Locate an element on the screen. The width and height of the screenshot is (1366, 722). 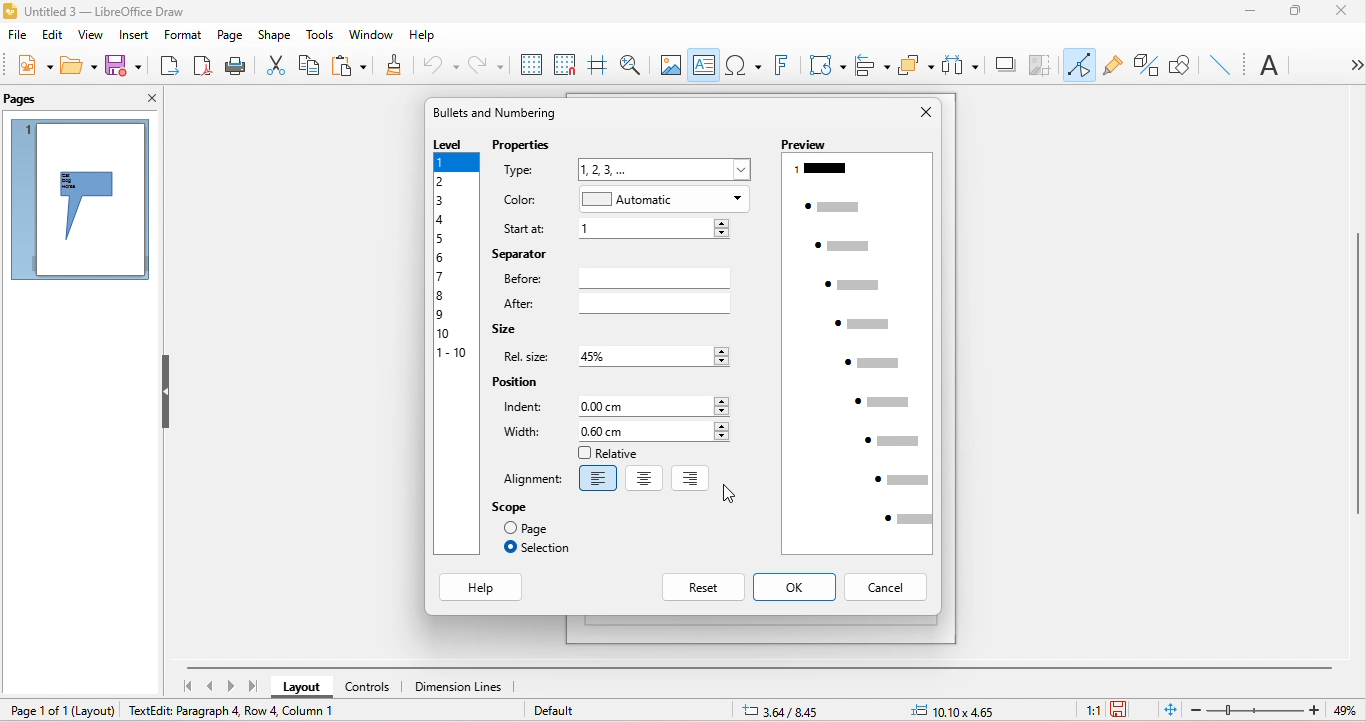
default is located at coordinates (559, 713).